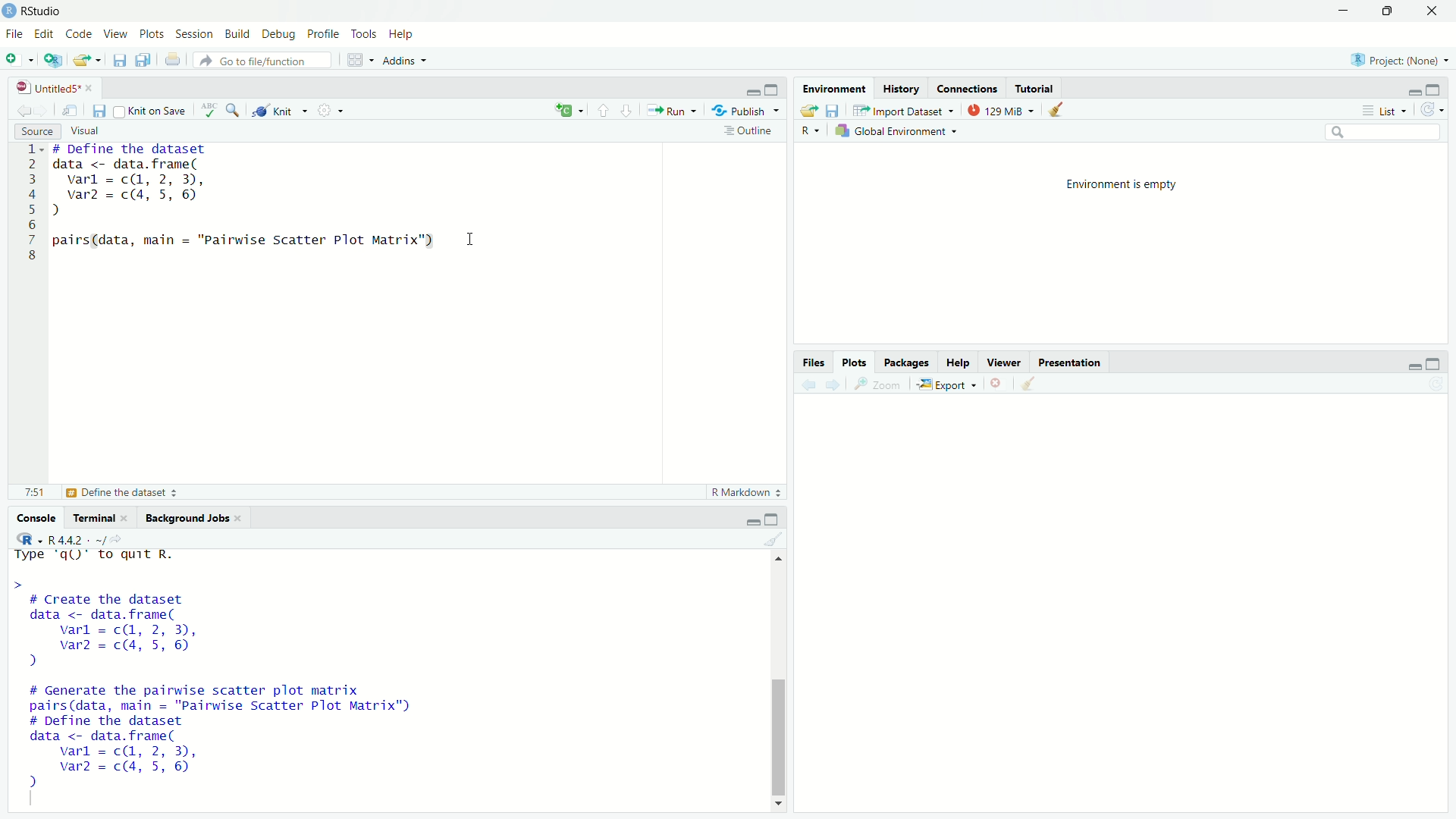 The height and width of the screenshot is (819, 1456). Describe the element at coordinates (901, 88) in the screenshot. I see `History` at that location.